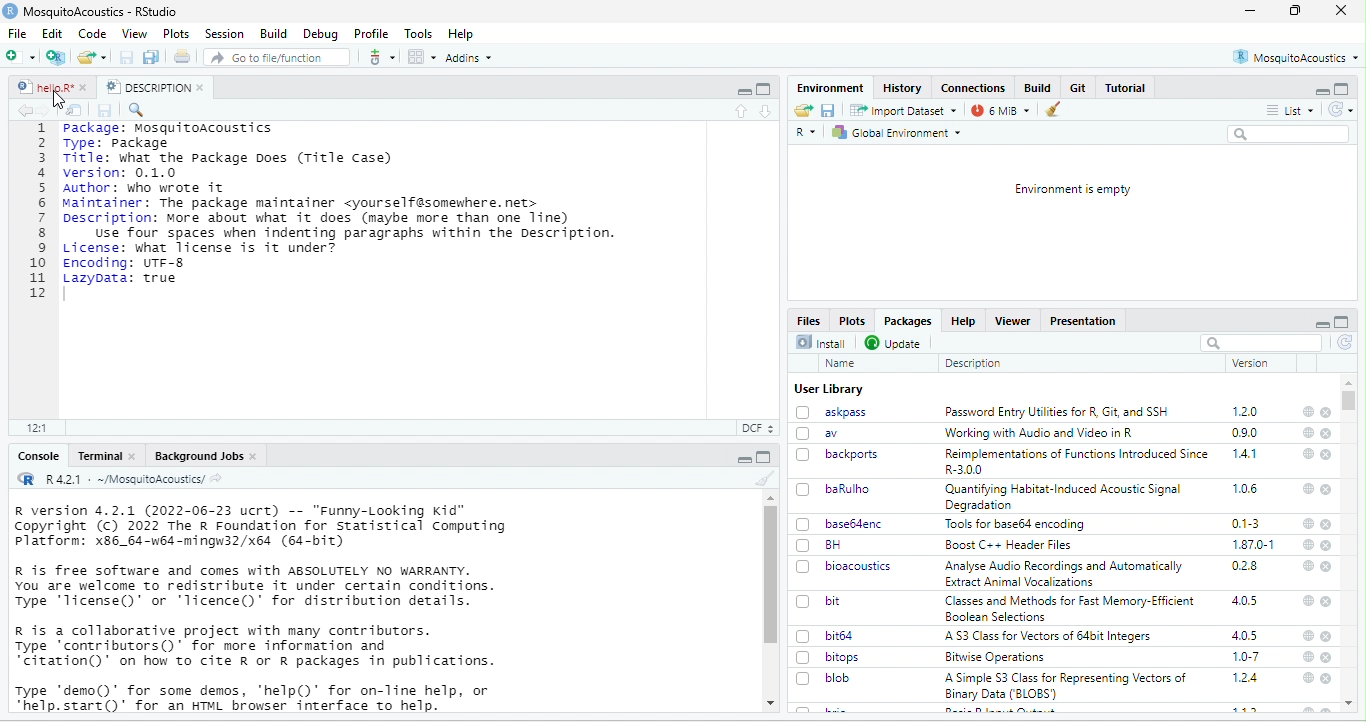 This screenshot has height=722, width=1366. I want to click on MosquitoAcoustics, so click(1296, 57).